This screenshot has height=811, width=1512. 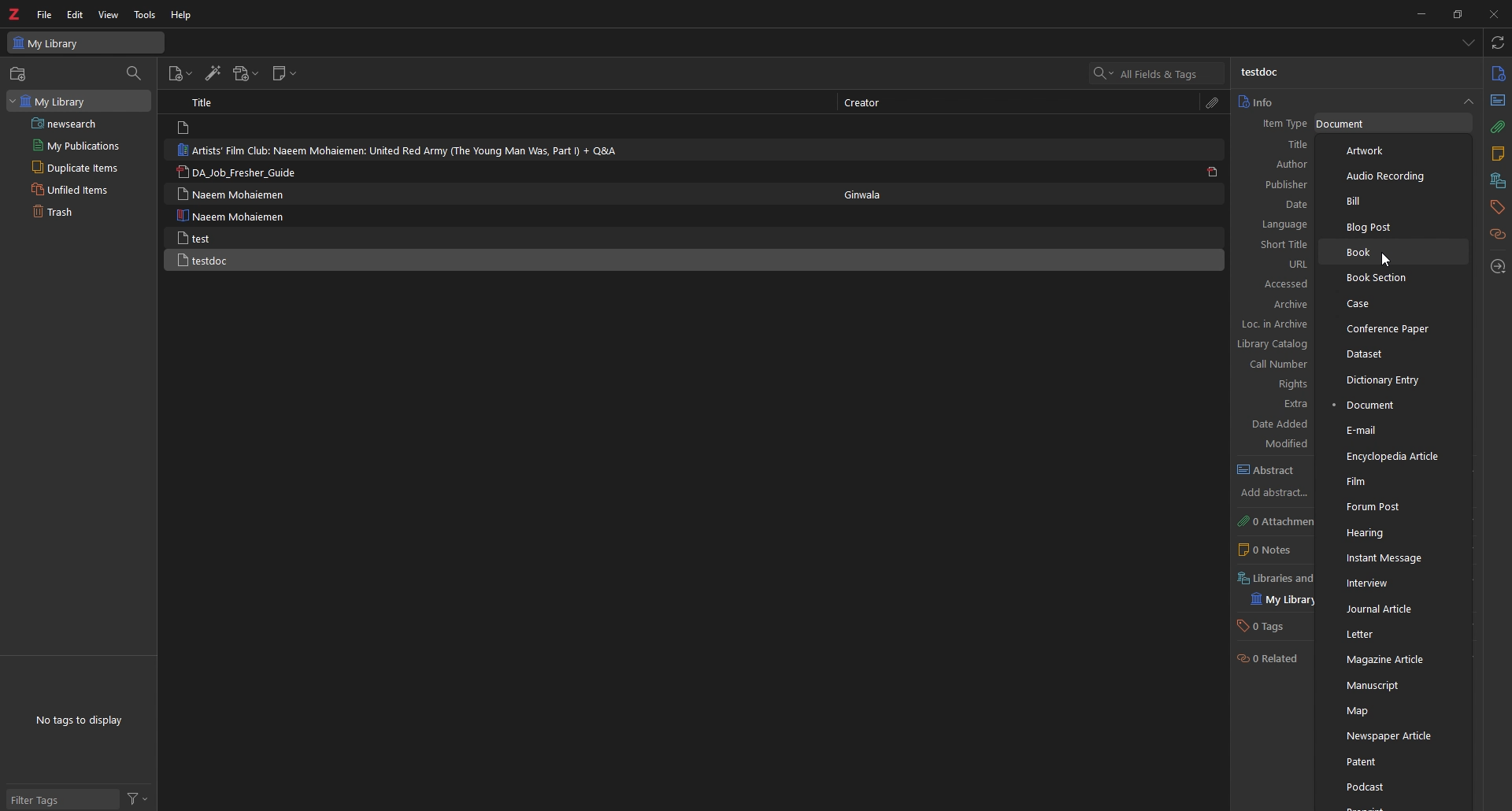 I want to click on Ginwala, so click(x=864, y=194).